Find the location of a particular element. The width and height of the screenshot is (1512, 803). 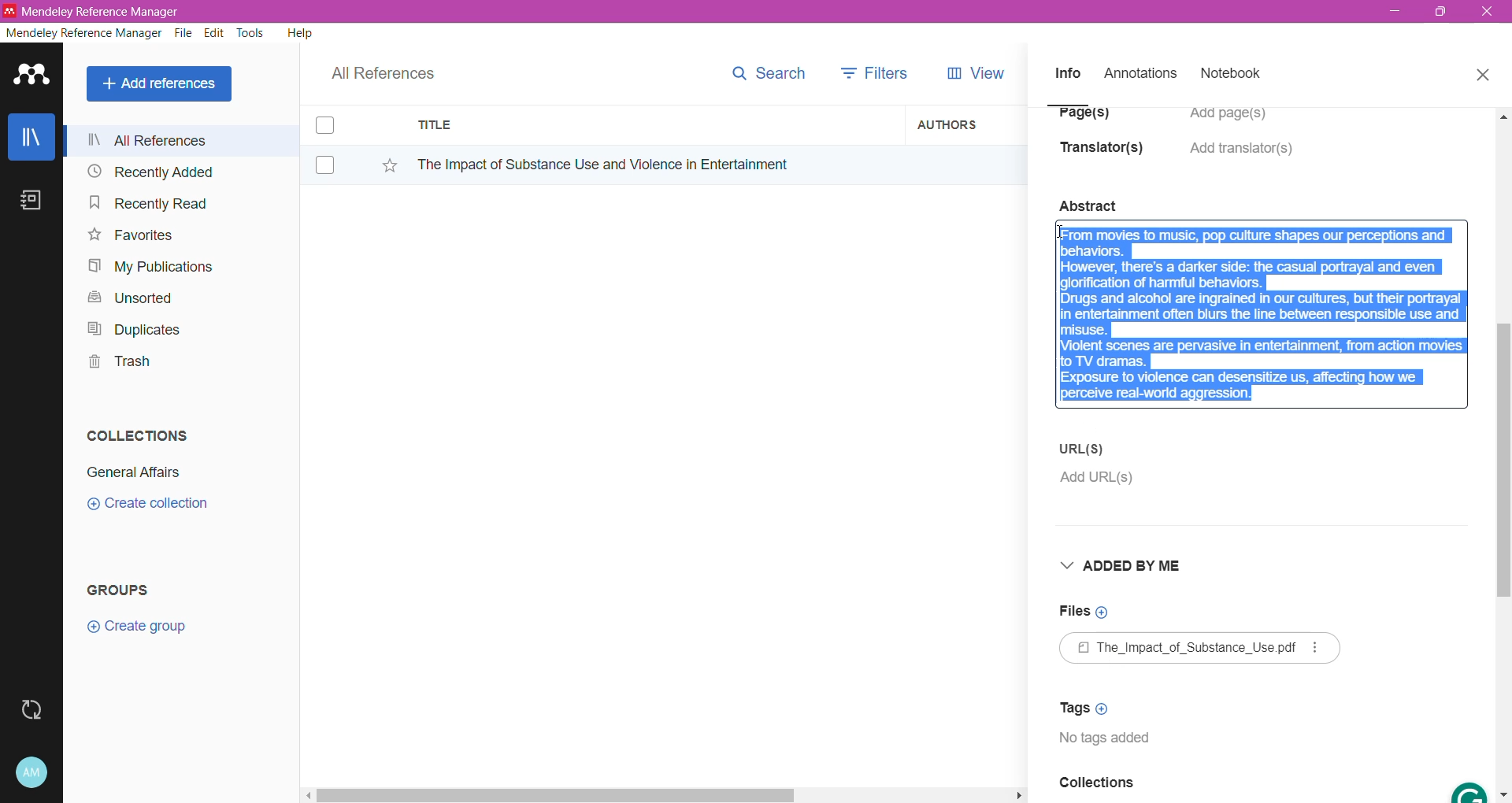

Click to Add to Favorites is located at coordinates (381, 162).